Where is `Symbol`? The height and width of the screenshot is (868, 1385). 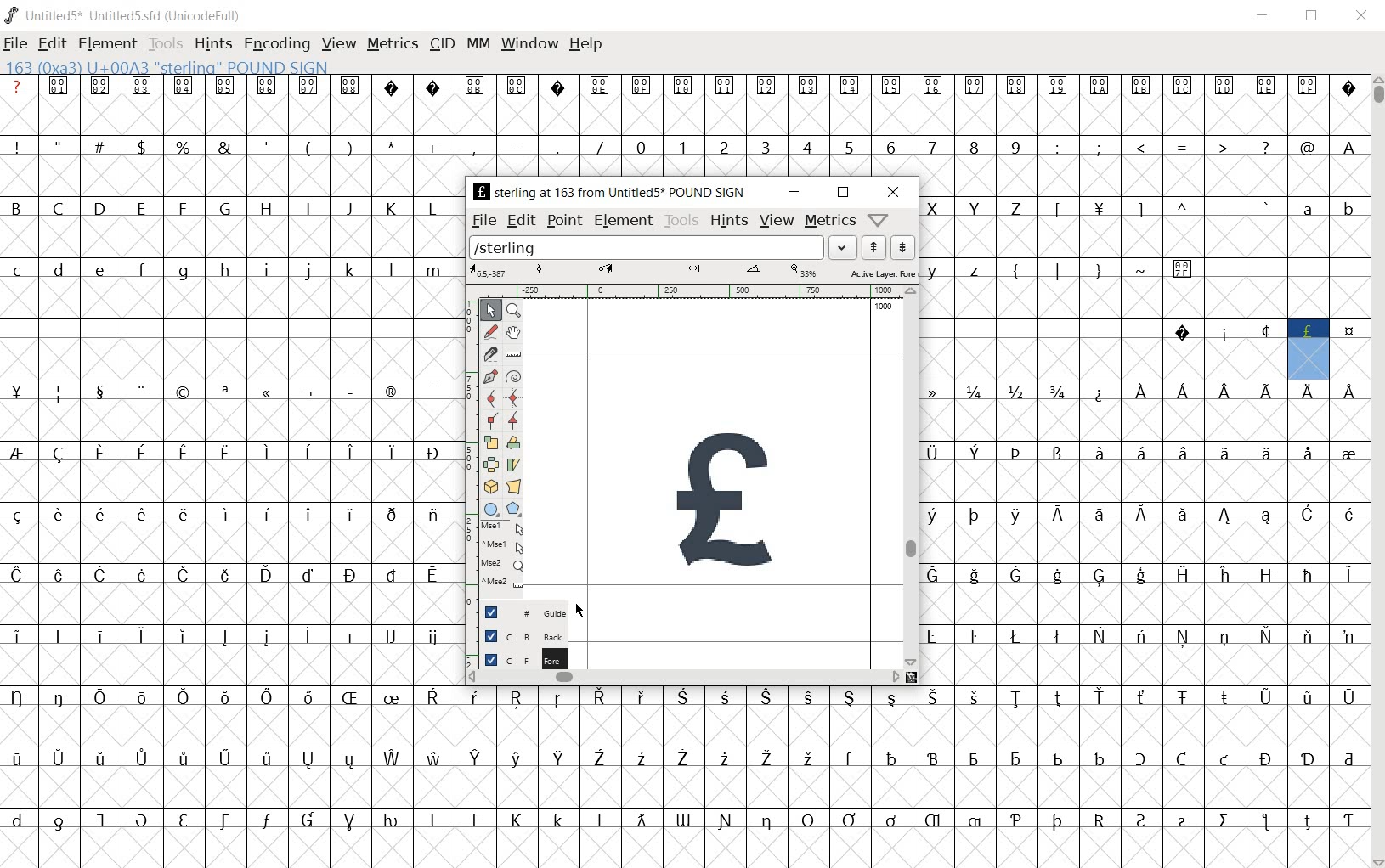 Symbol is located at coordinates (1267, 392).